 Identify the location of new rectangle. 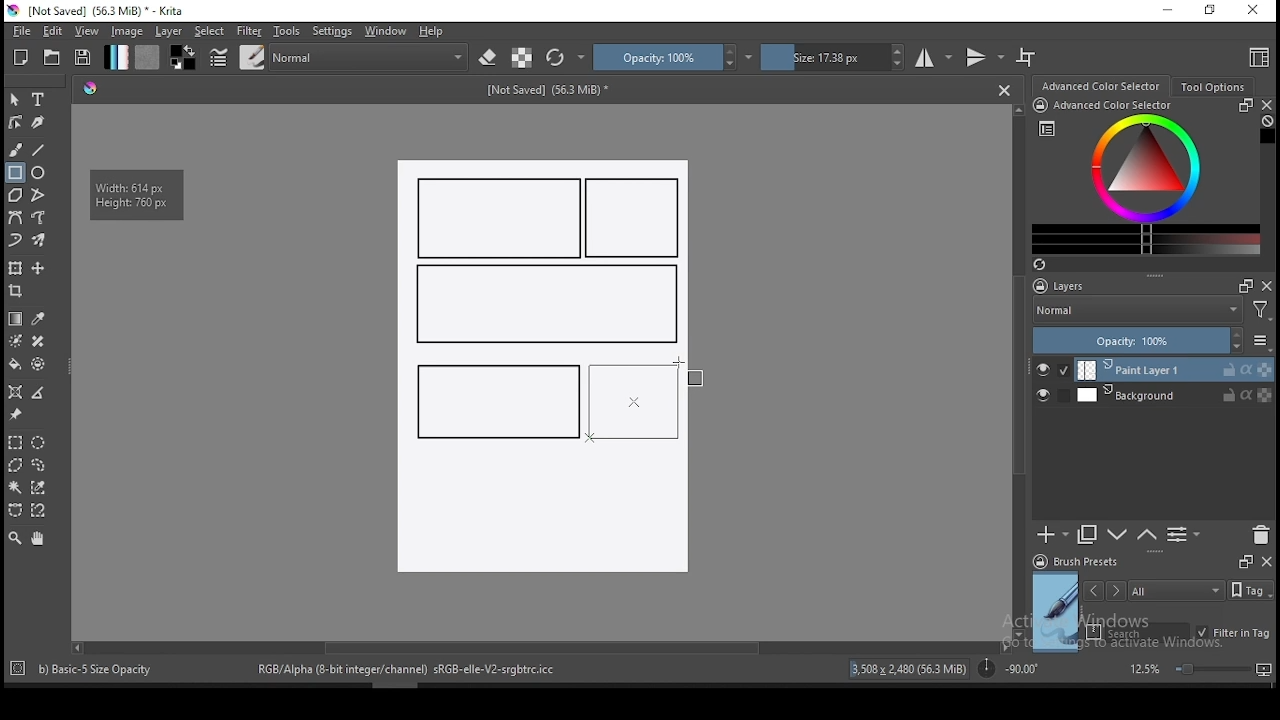
(500, 218).